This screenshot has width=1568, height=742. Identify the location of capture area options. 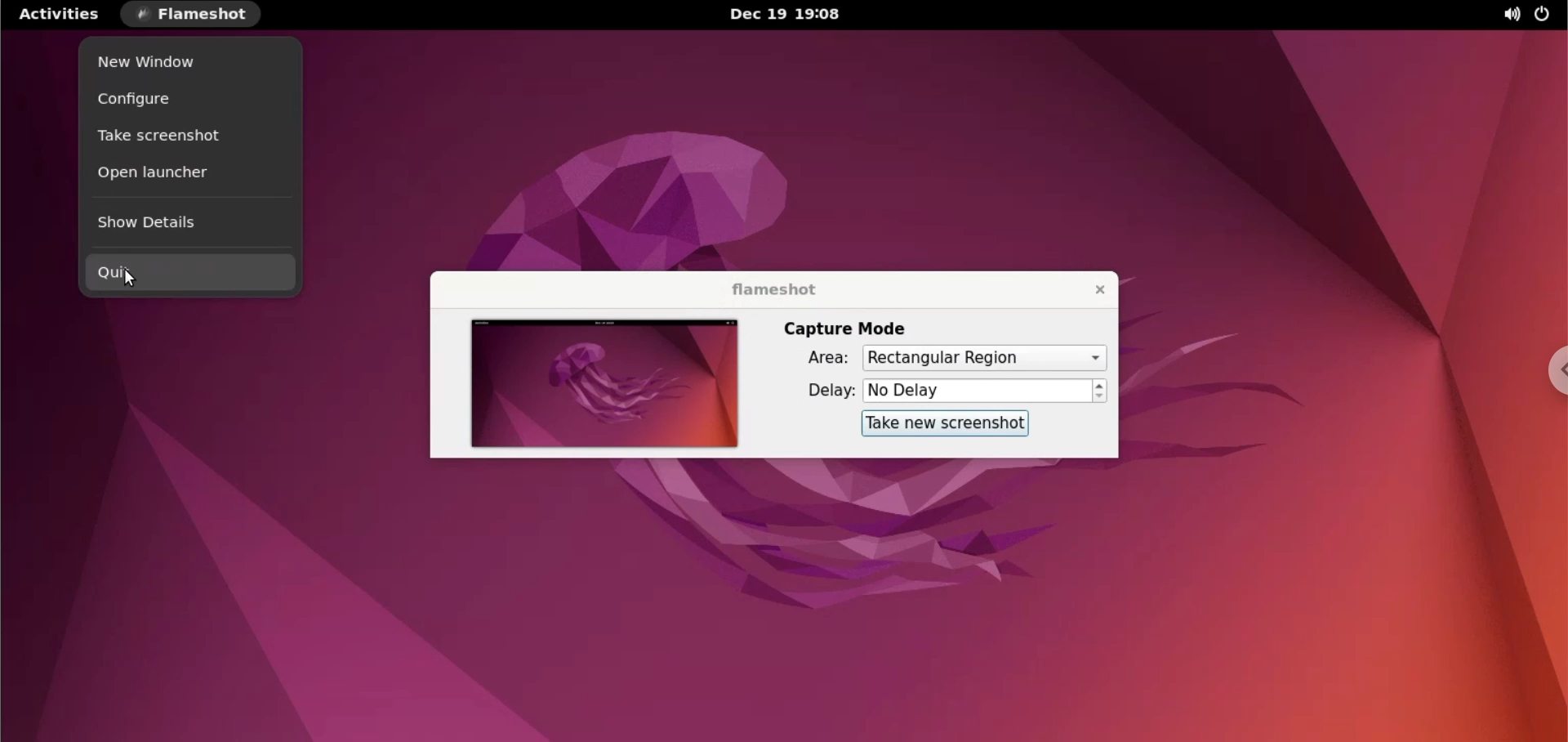
(983, 358).